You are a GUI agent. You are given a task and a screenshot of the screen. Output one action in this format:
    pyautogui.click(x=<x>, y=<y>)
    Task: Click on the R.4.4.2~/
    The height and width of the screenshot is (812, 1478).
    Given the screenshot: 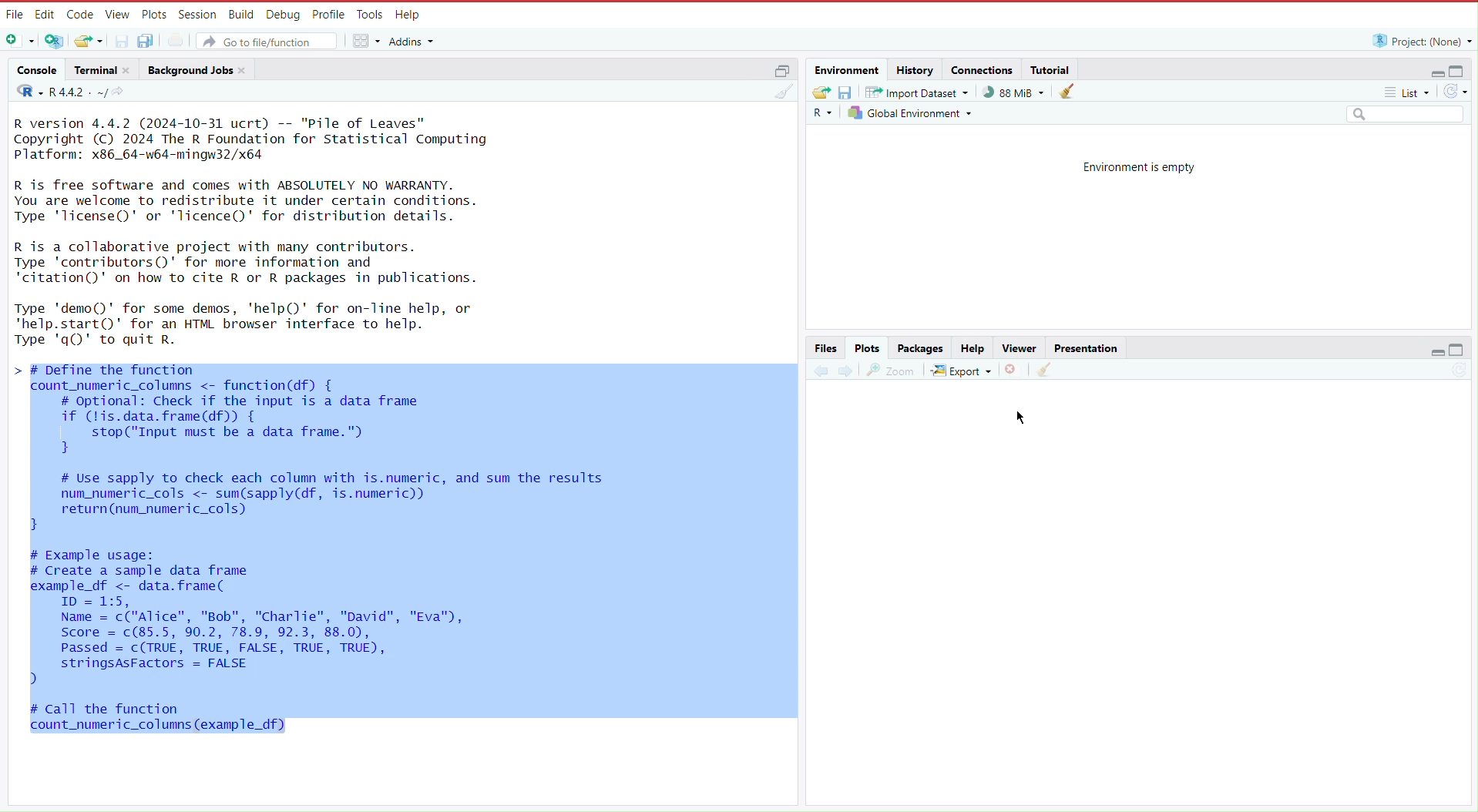 What is the action you would take?
    pyautogui.click(x=79, y=92)
    